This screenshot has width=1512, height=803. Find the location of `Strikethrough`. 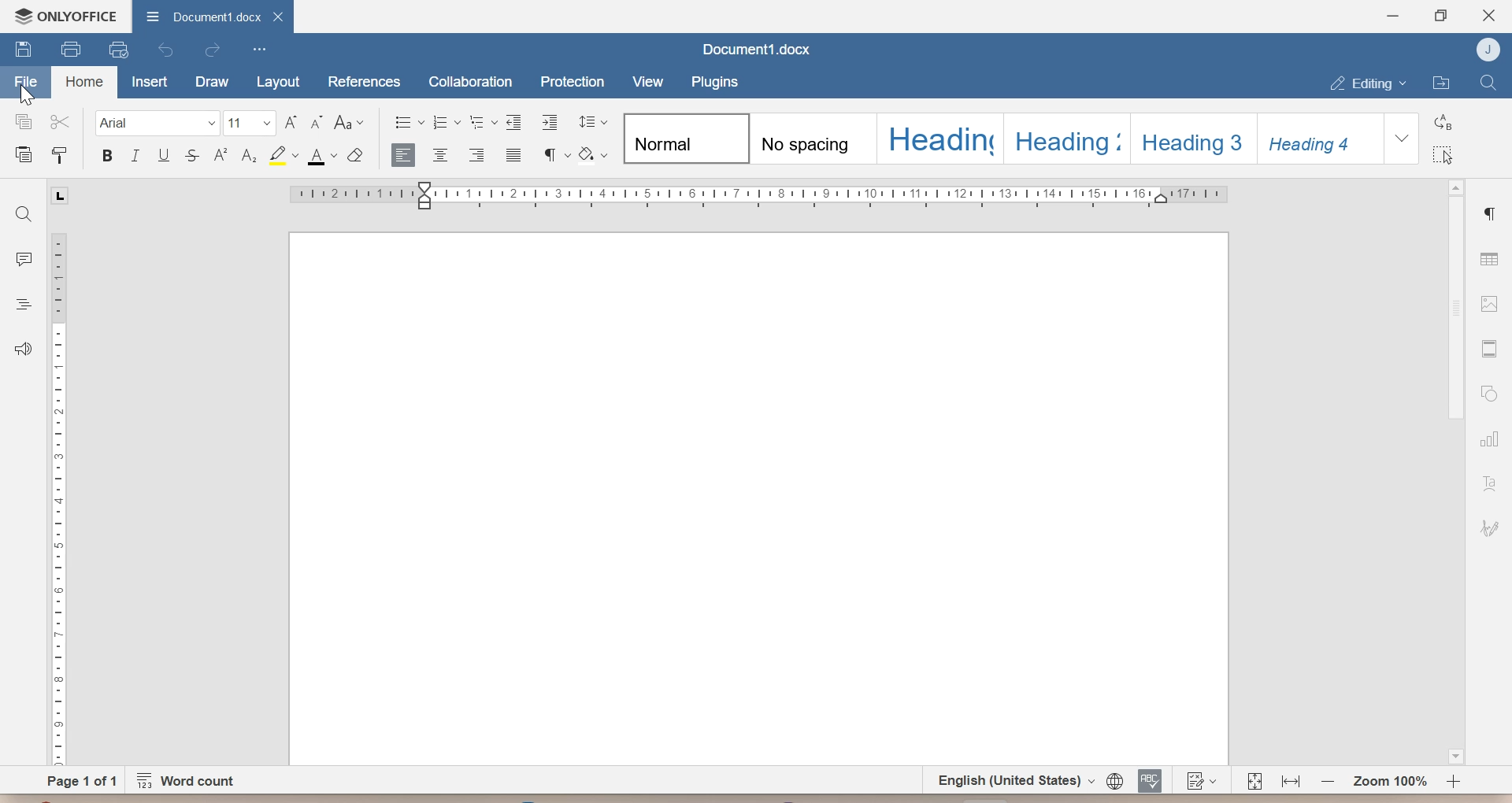

Strikethrough is located at coordinates (192, 156).